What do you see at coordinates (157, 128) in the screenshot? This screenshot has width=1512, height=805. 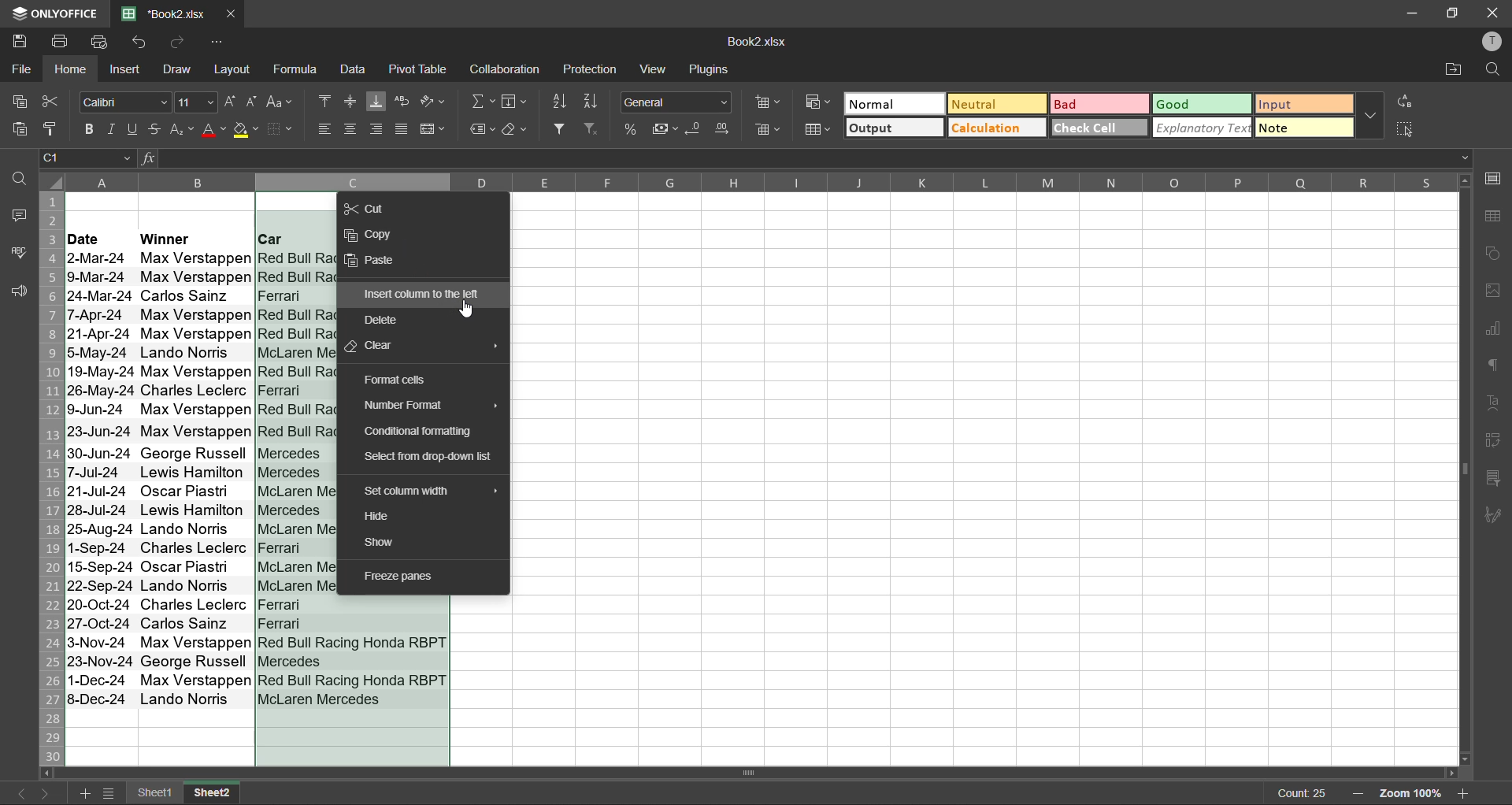 I see `strikethrough` at bounding box center [157, 128].